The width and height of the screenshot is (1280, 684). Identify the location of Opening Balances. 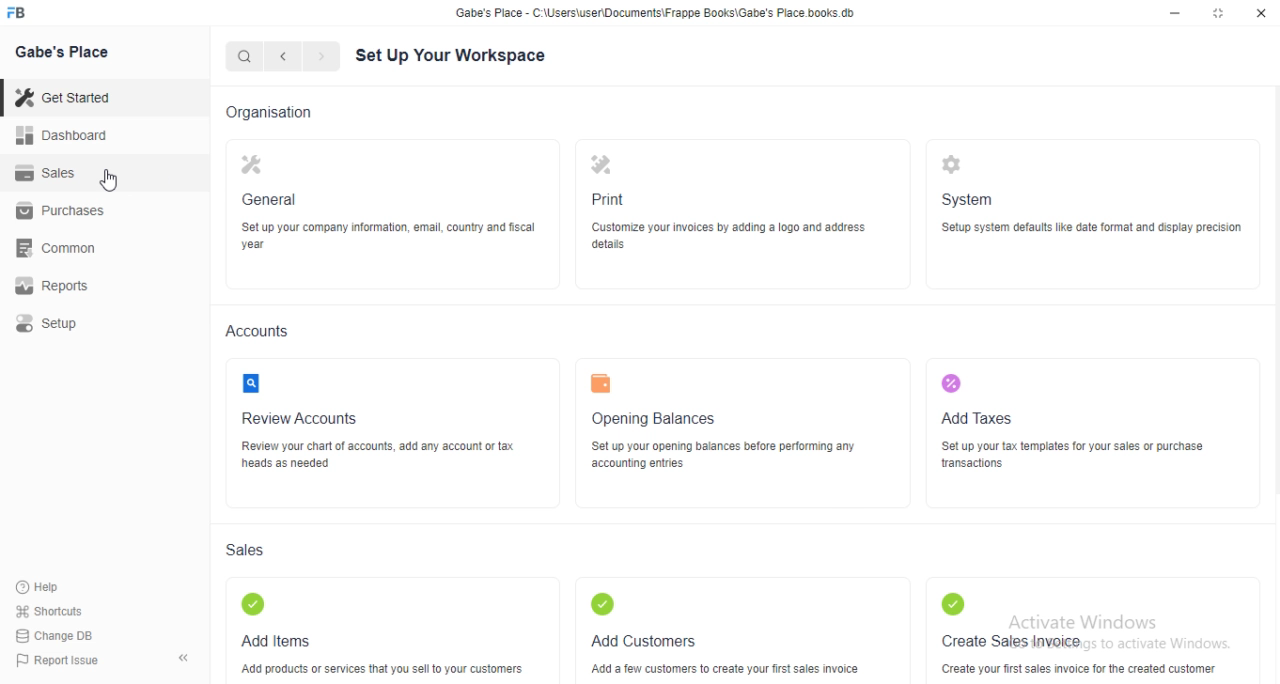
(653, 419).